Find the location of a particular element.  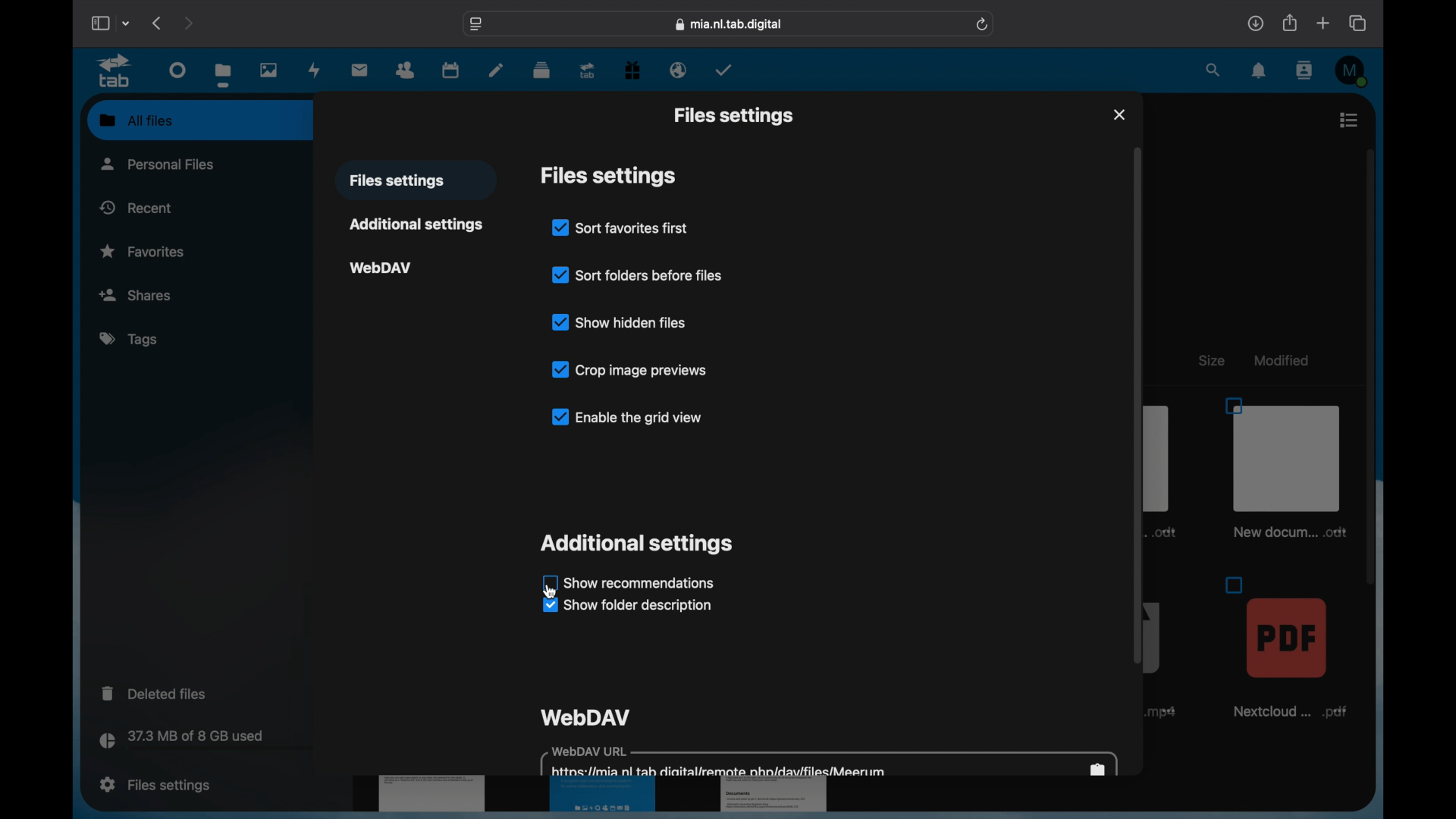

show recommendations is located at coordinates (642, 584).